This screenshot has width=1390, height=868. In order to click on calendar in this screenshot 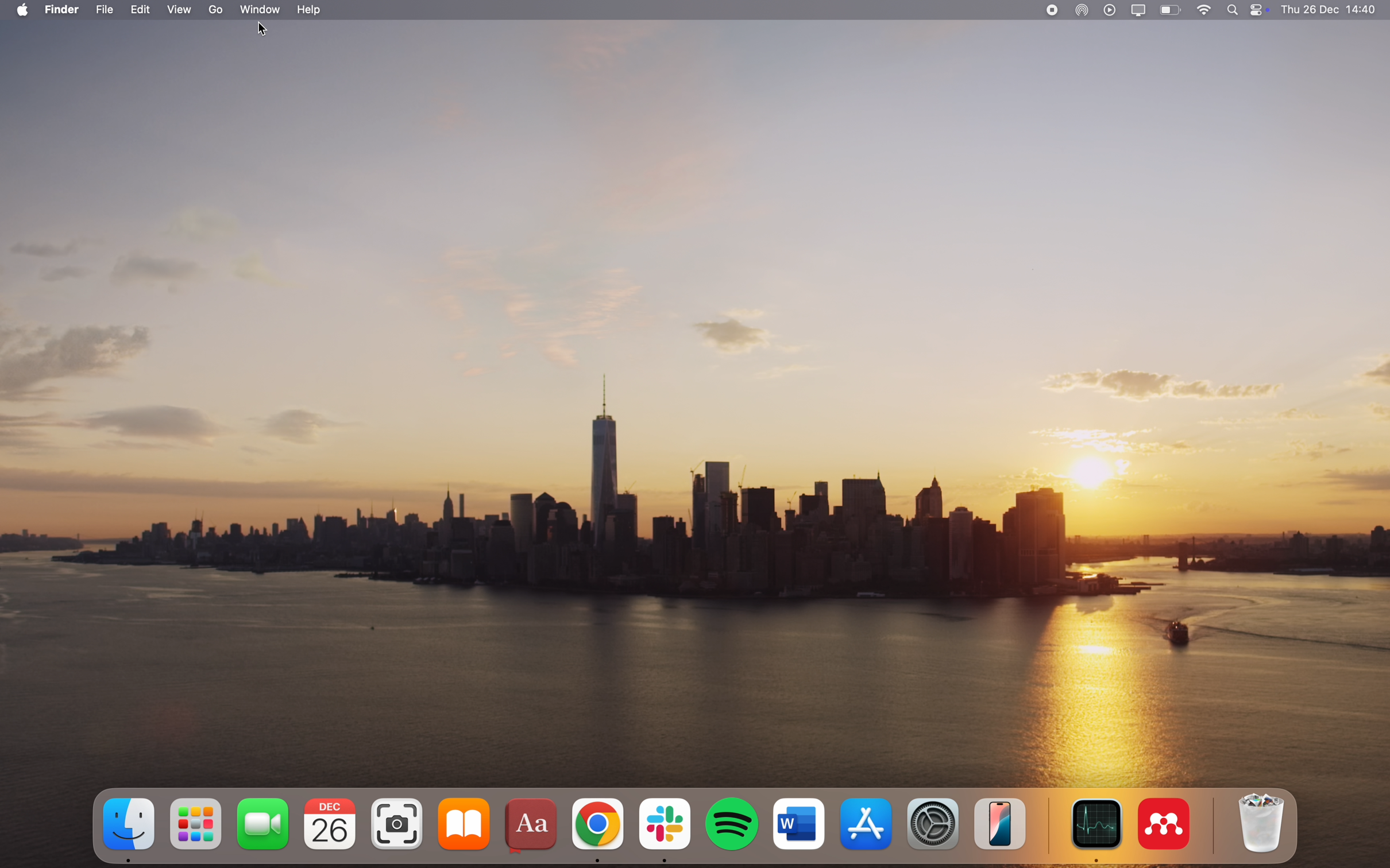, I will do `click(331, 824)`.